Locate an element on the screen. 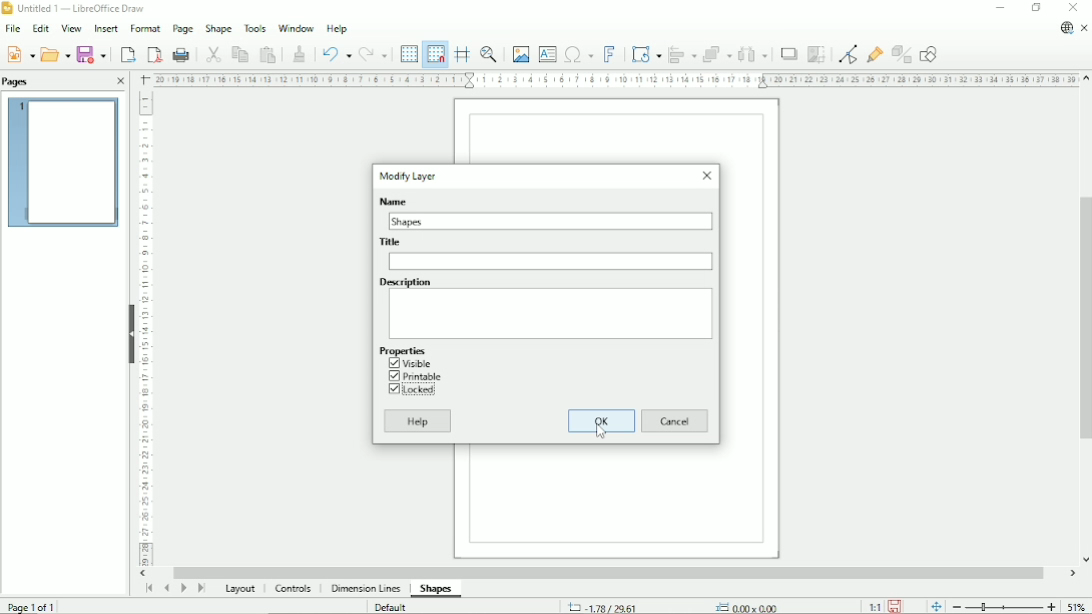 The height and width of the screenshot is (614, 1092). Show draw functions is located at coordinates (930, 54).